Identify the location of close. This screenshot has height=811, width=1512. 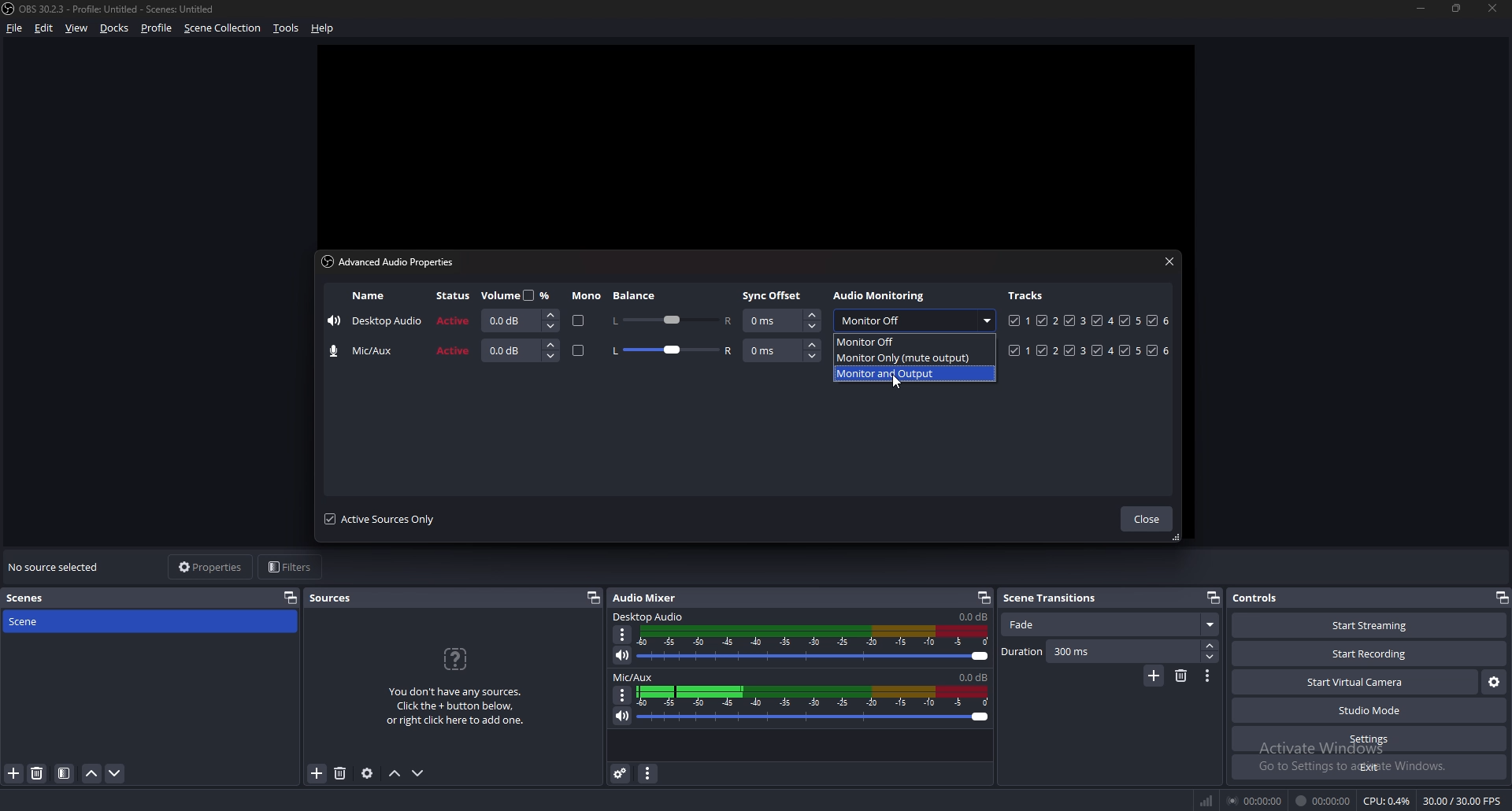
(1169, 261).